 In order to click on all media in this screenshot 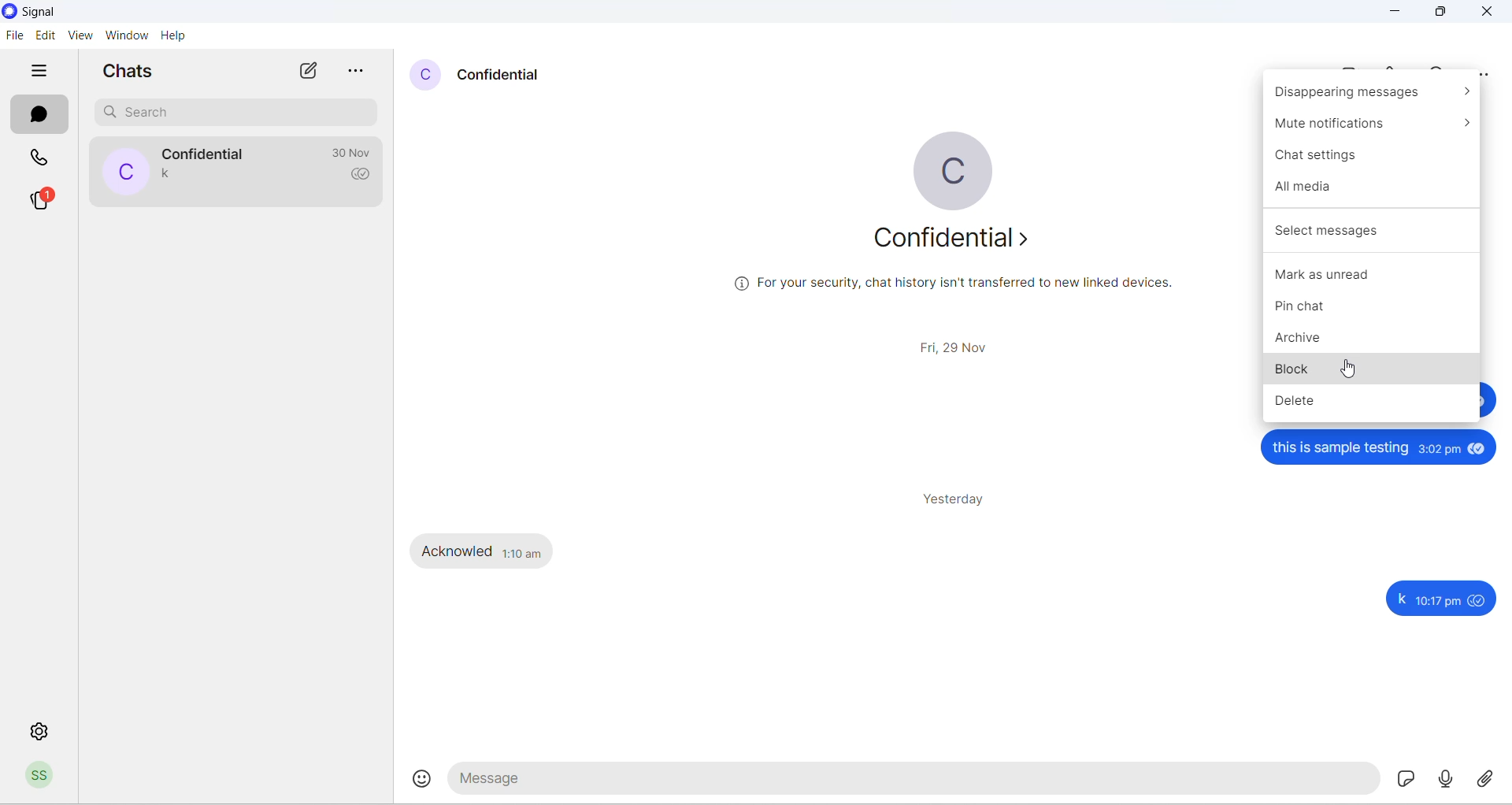, I will do `click(1373, 186)`.